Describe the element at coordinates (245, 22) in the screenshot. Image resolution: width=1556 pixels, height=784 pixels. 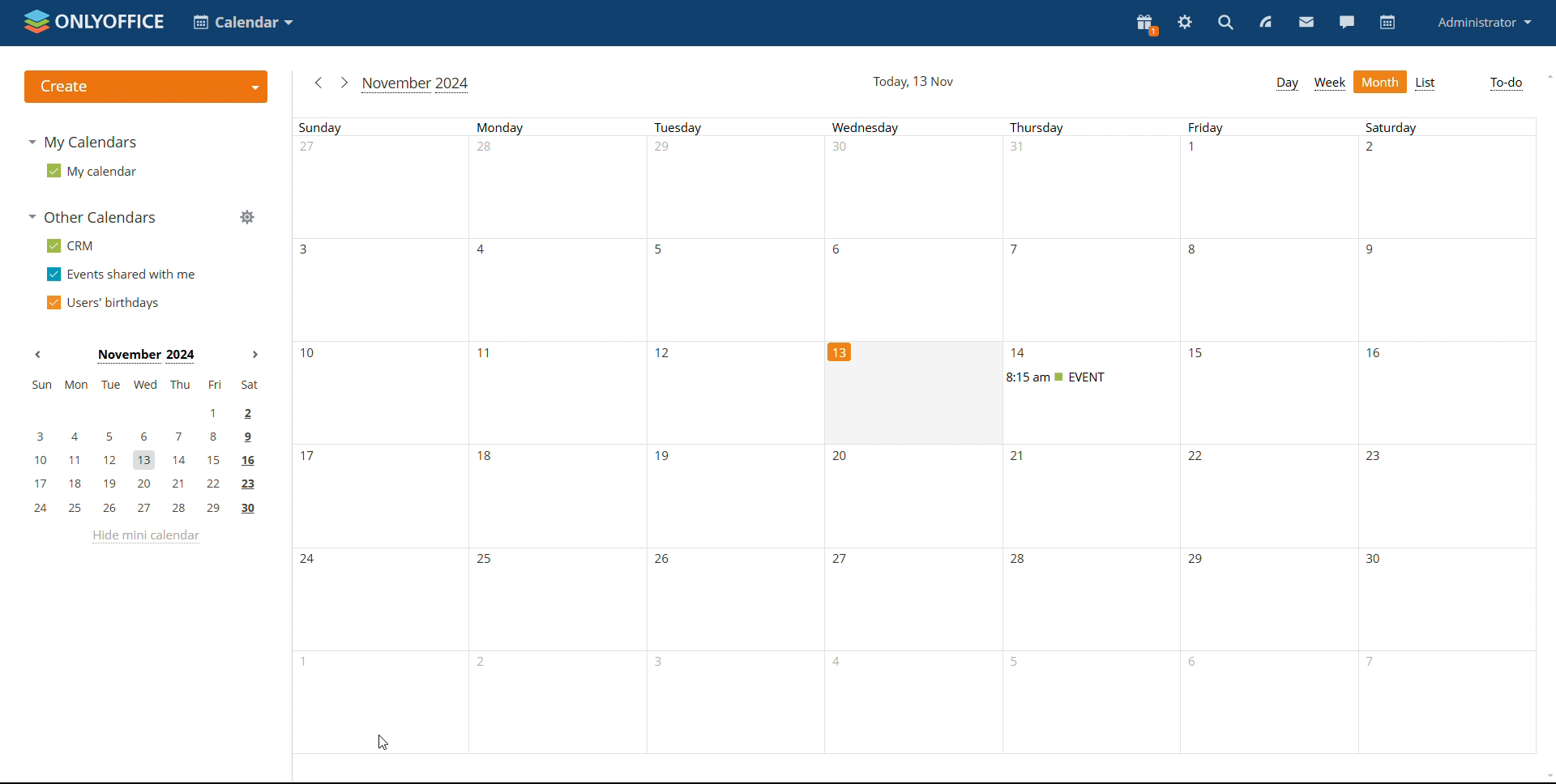
I see `select application` at that location.